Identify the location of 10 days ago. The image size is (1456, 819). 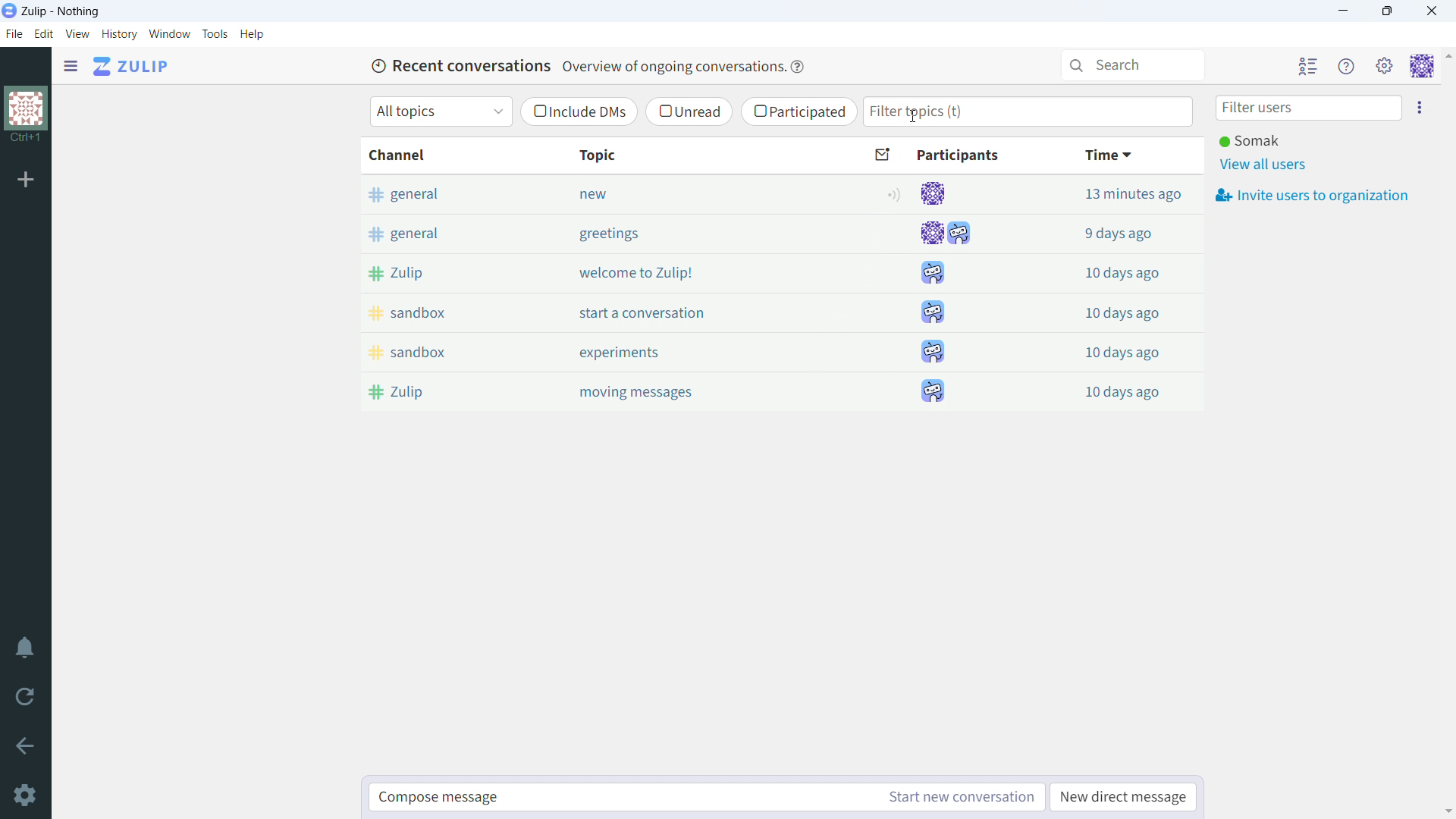
(1106, 269).